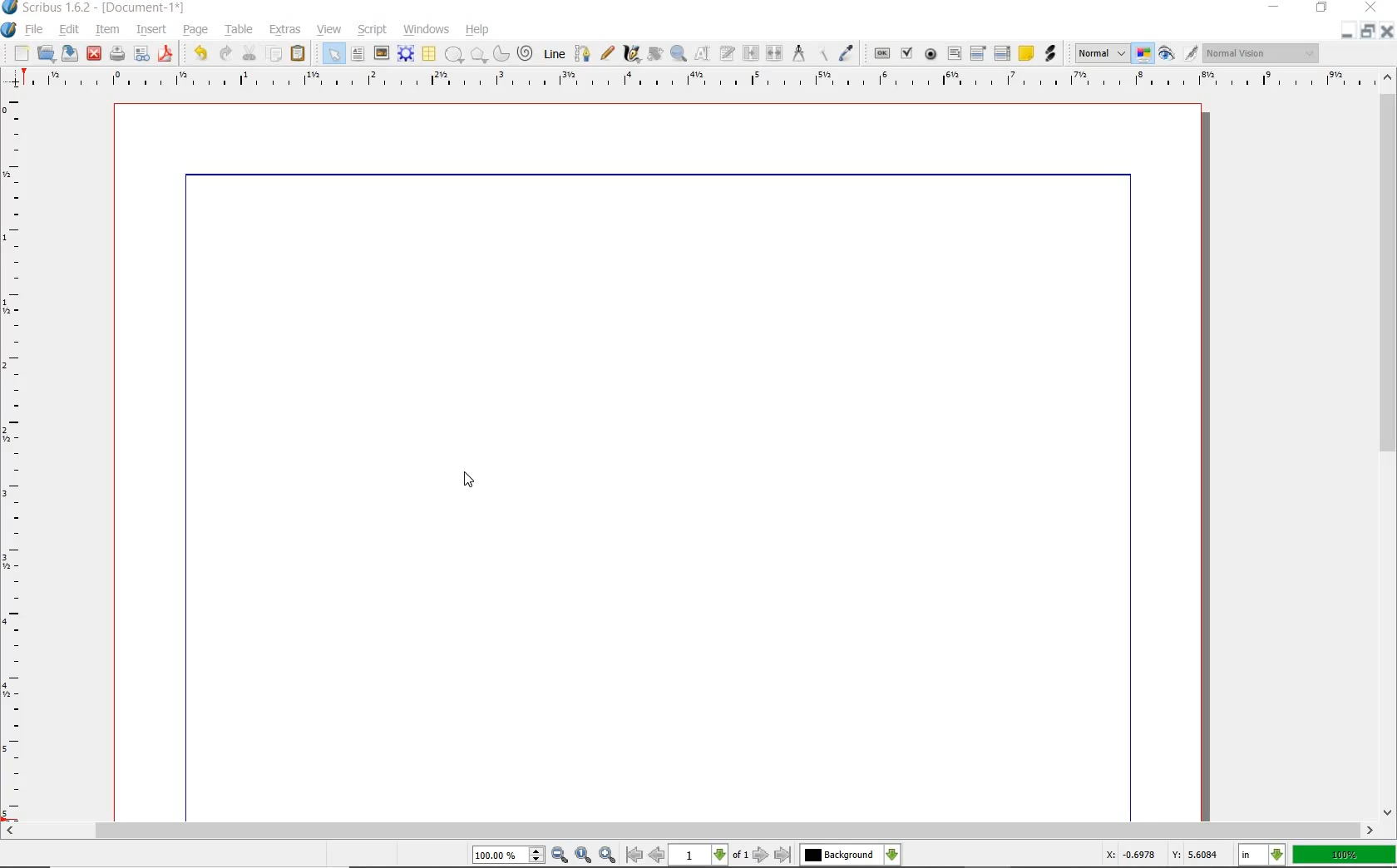  Describe the element at coordinates (524, 54) in the screenshot. I see `SPIRAL` at that location.